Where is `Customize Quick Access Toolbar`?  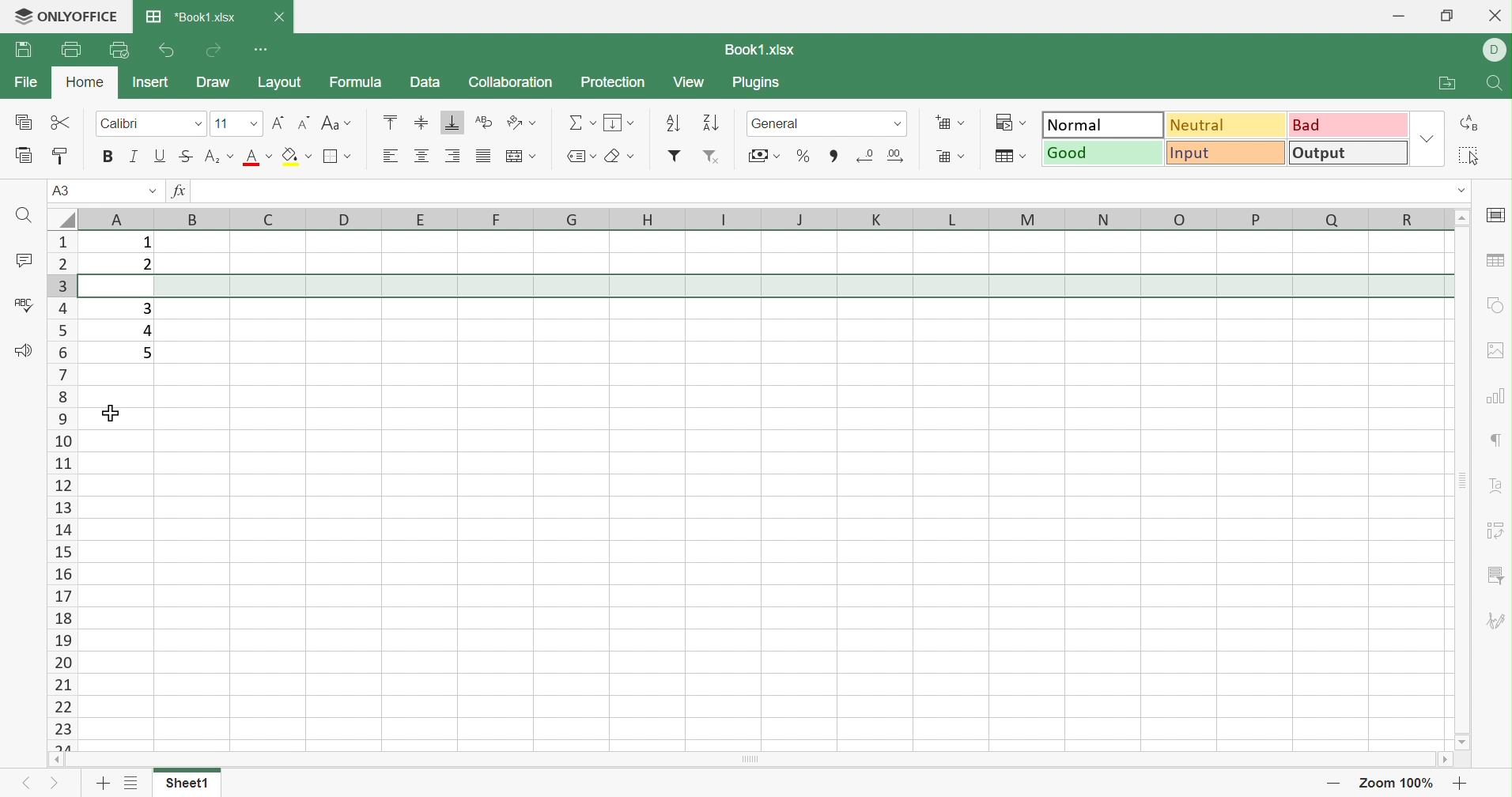 Customize Quick Access Toolbar is located at coordinates (262, 50).